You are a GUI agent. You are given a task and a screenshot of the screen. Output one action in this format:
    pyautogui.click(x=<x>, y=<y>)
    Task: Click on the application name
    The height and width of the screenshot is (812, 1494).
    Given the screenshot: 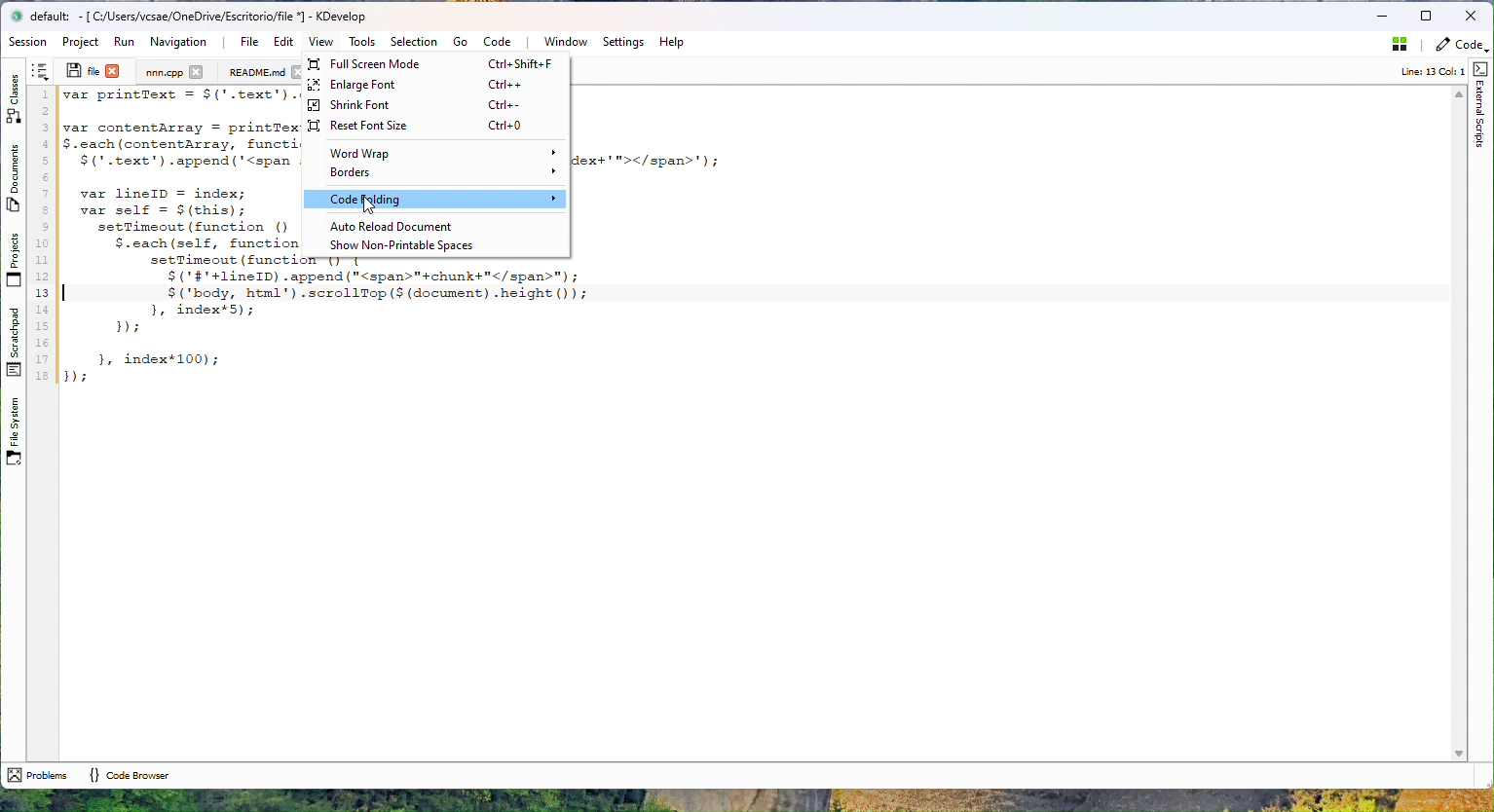 What is the action you would take?
    pyautogui.click(x=209, y=17)
    